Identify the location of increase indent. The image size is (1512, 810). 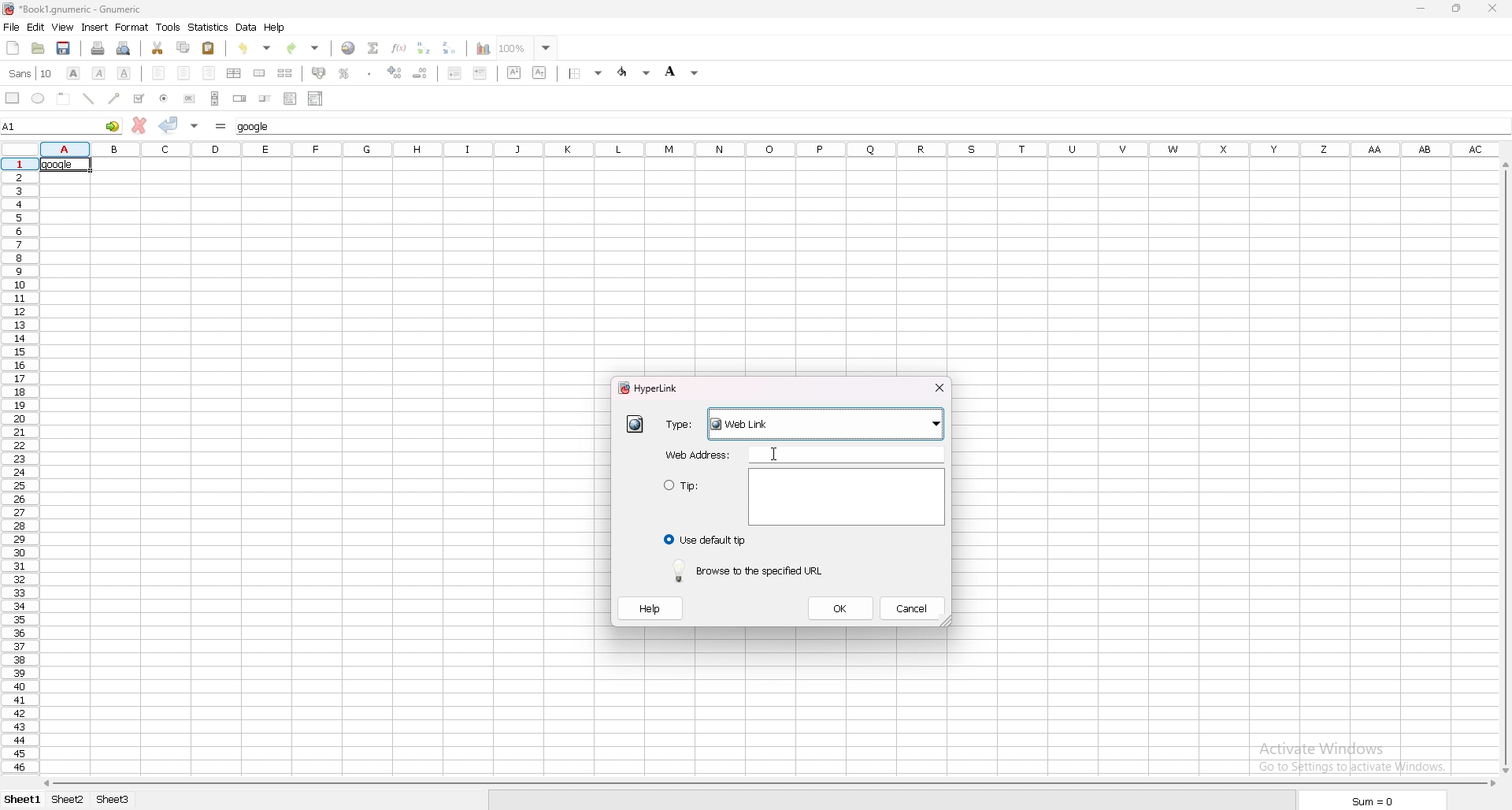
(480, 72).